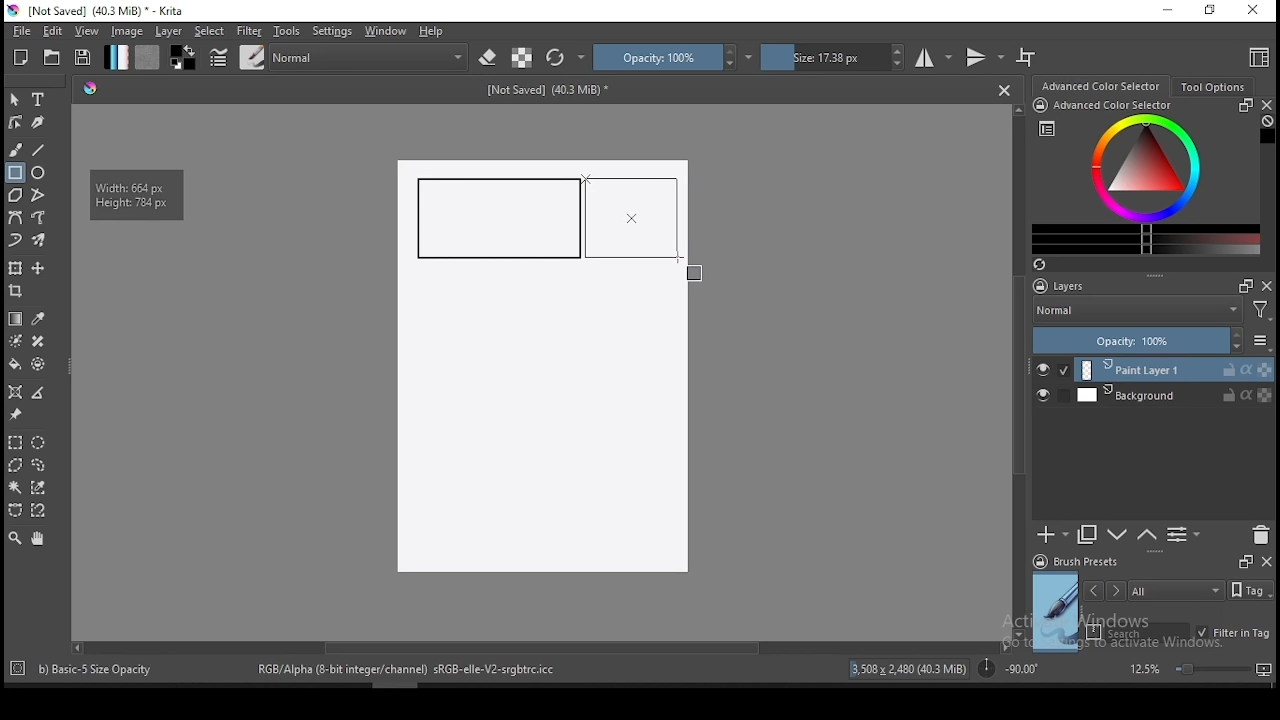 This screenshot has height=720, width=1280. Describe the element at coordinates (1255, 11) in the screenshot. I see ` close window` at that location.